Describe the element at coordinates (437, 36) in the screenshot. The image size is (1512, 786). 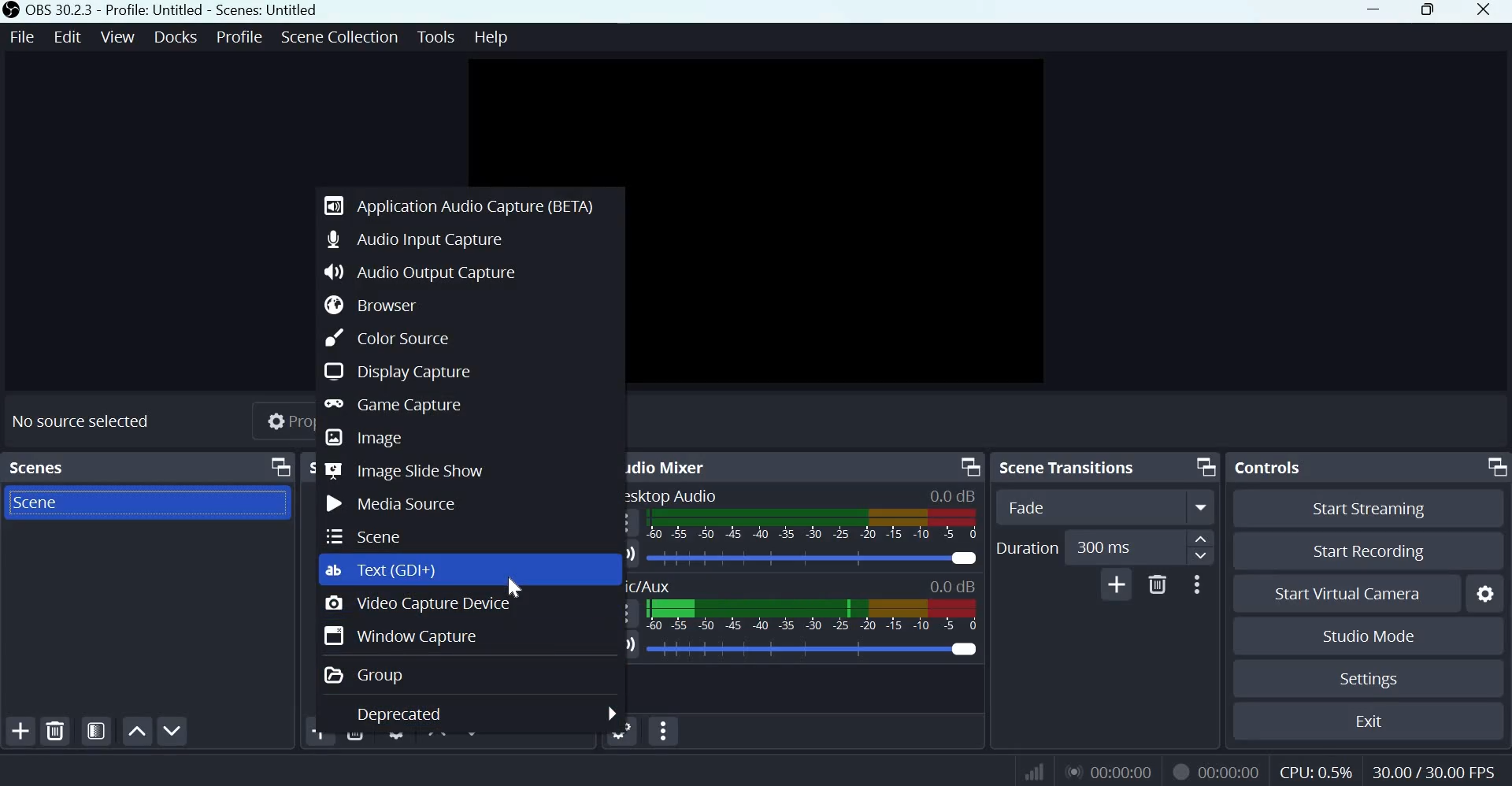
I see `Tools` at that location.